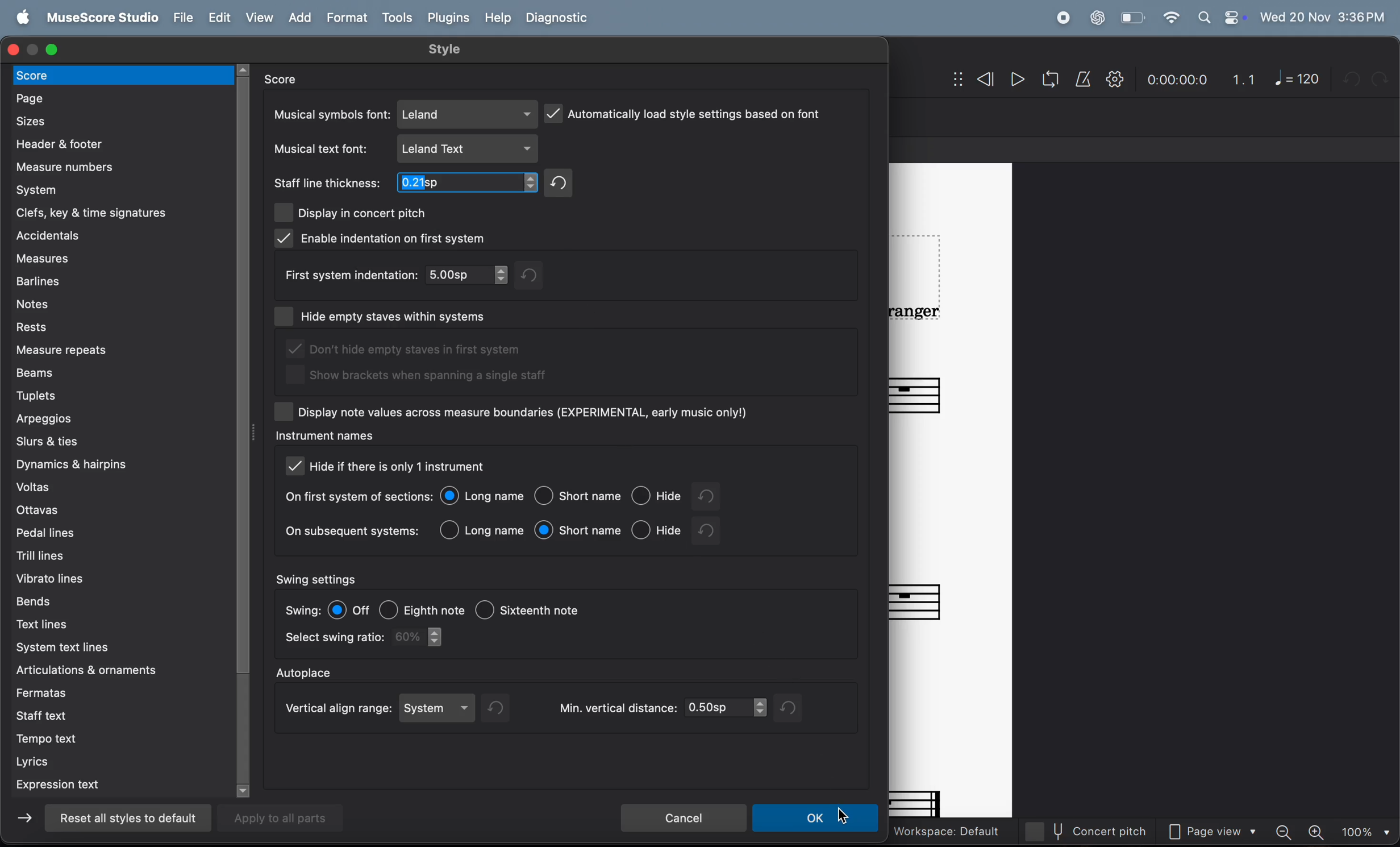 The height and width of the screenshot is (847, 1400). Describe the element at coordinates (330, 114) in the screenshot. I see `musical symbol font` at that location.